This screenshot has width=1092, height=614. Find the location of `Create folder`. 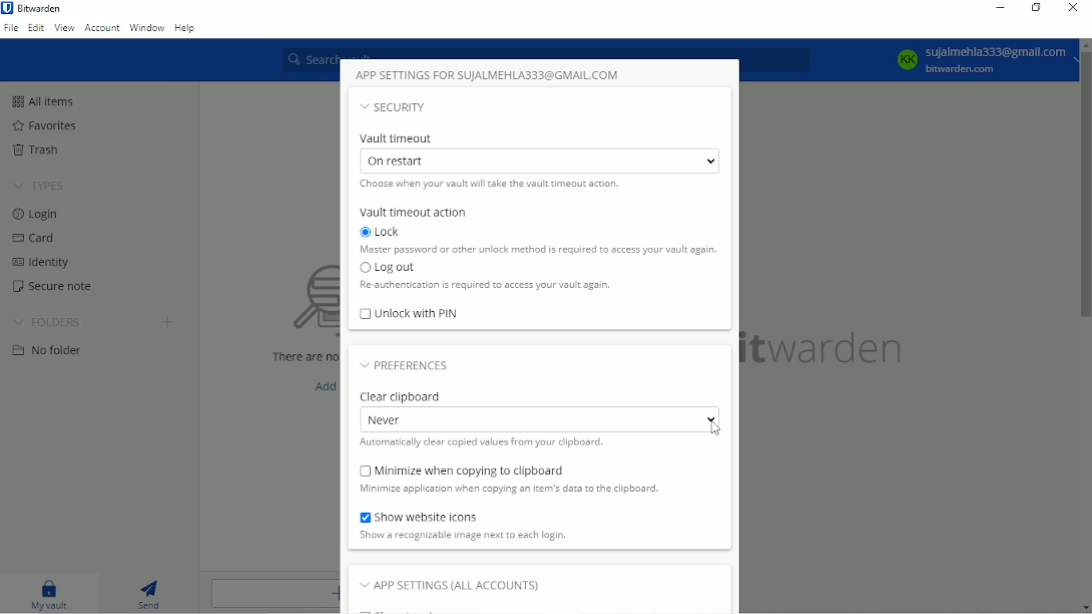

Create folder is located at coordinates (166, 323).